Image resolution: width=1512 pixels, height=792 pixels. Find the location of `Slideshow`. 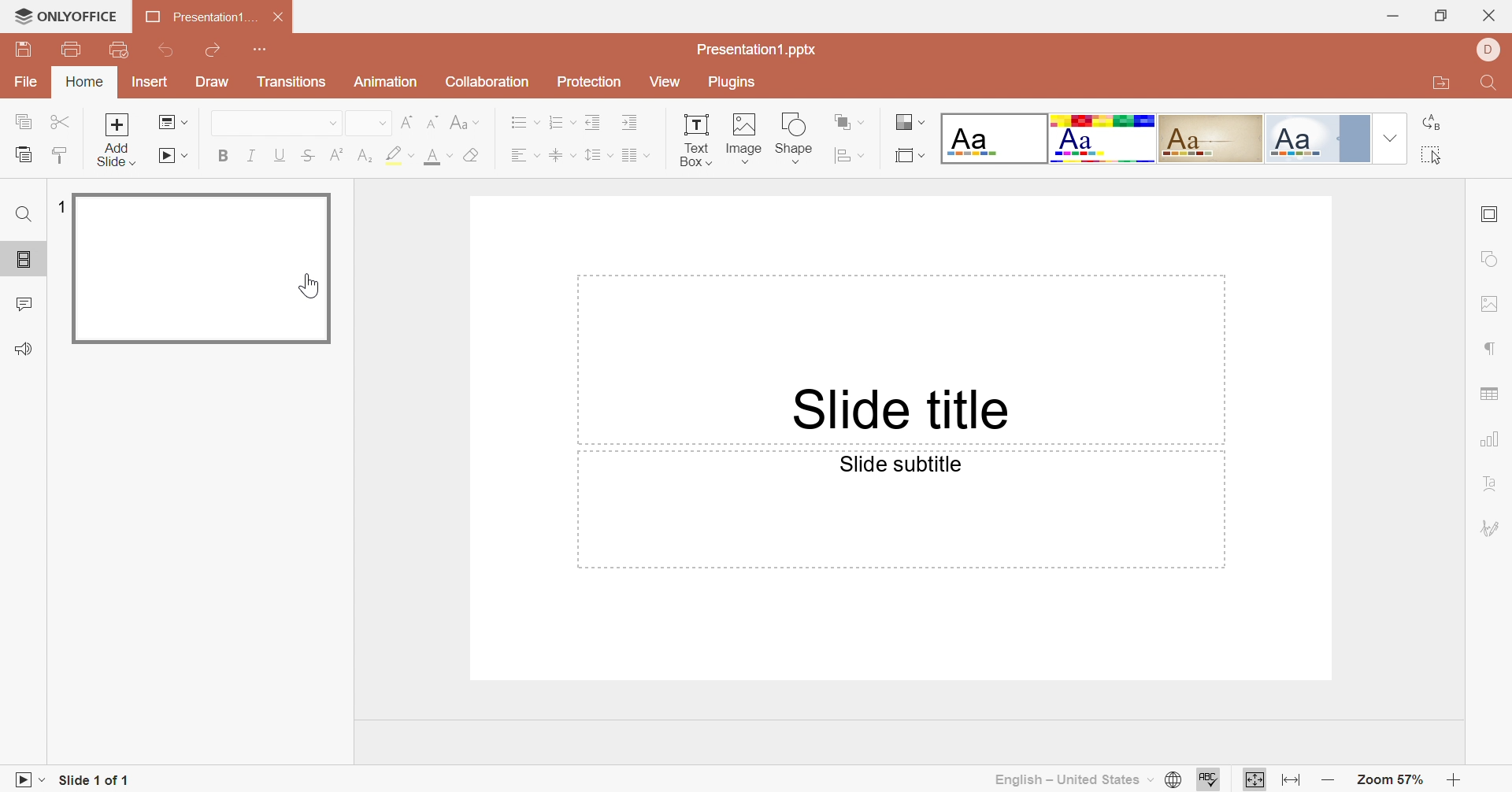

Slideshow is located at coordinates (18, 779).